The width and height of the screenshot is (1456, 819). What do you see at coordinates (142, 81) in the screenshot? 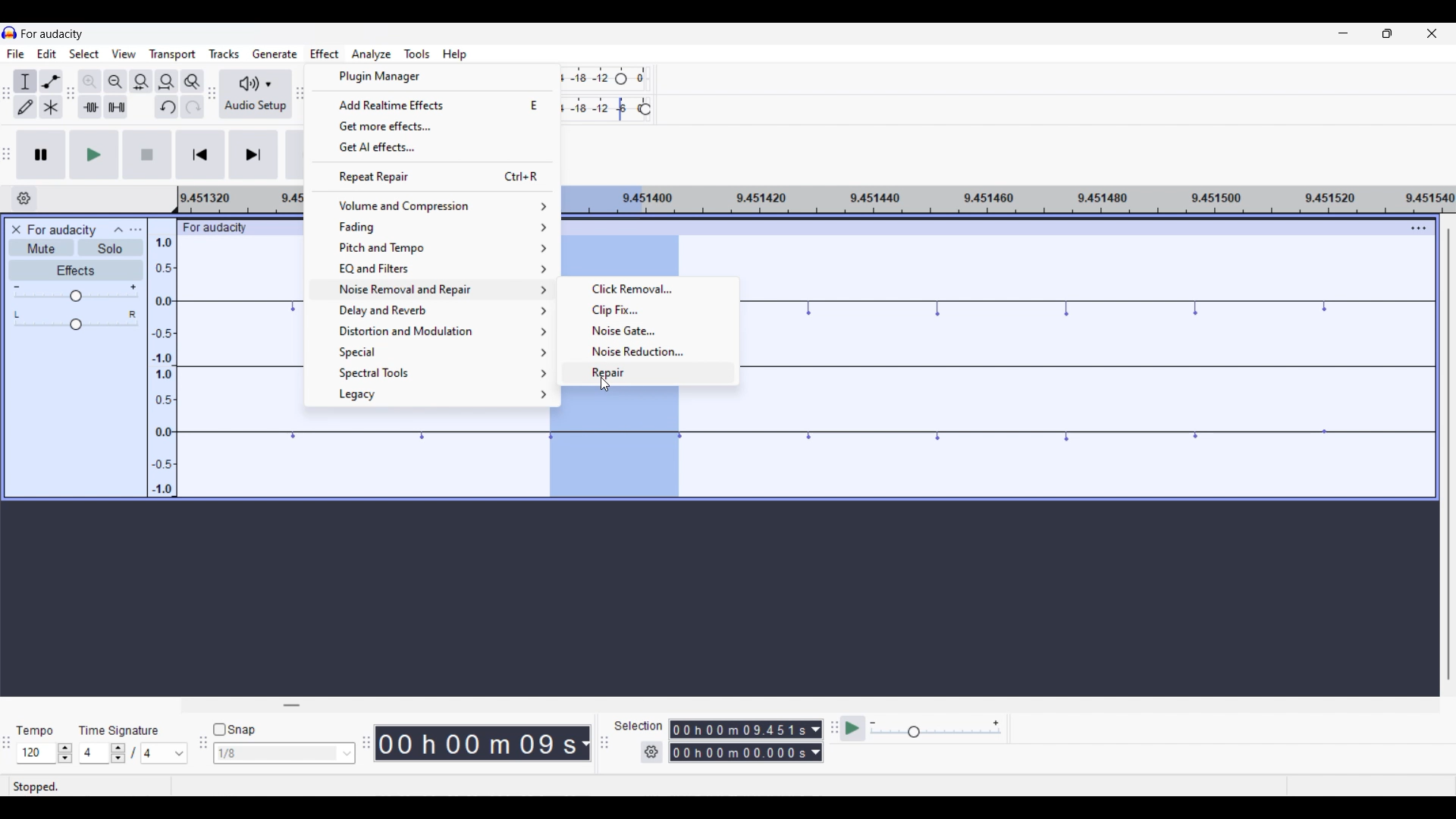
I see `Fit selection to width` at bounding box center [142, 81].